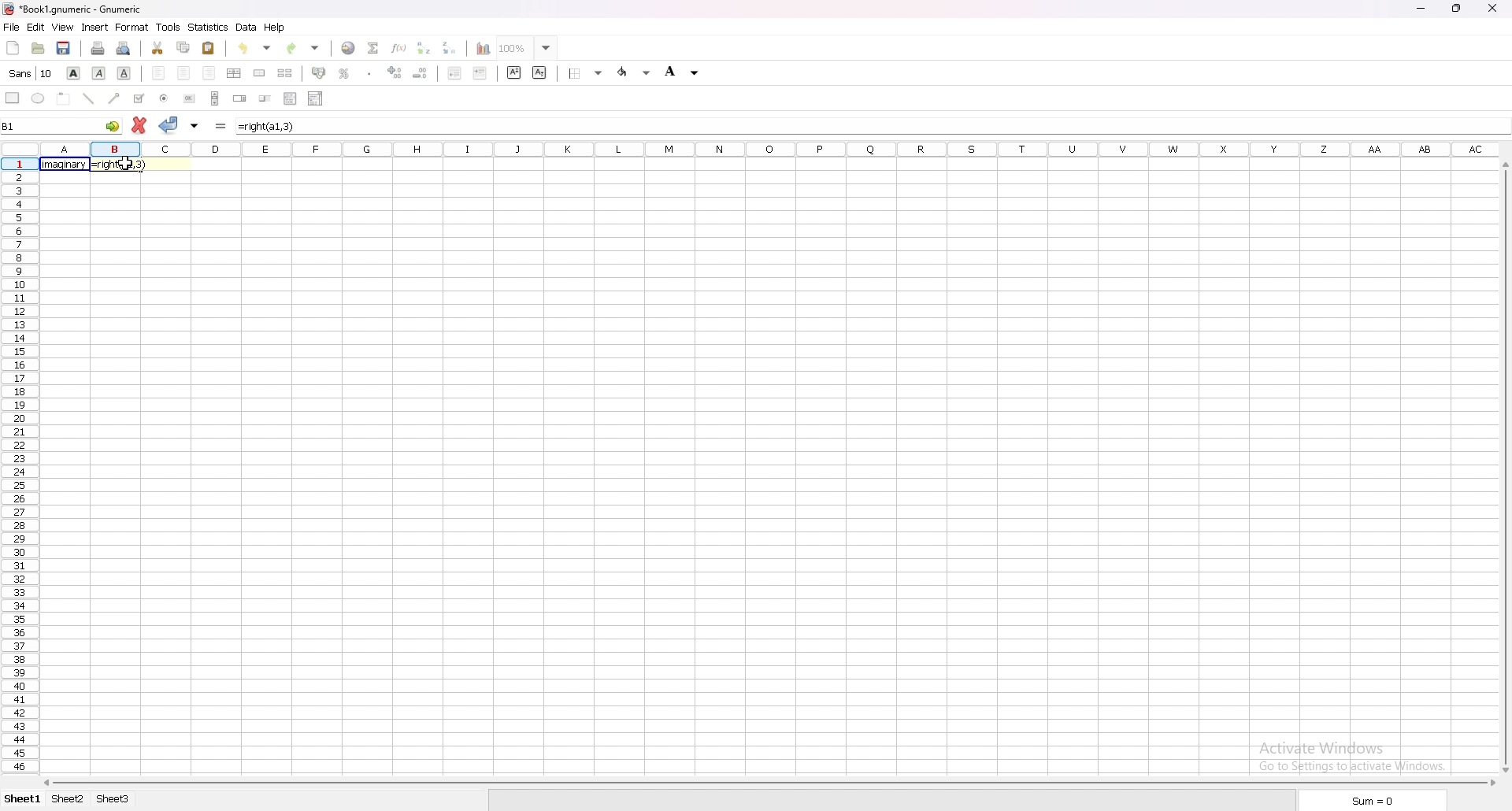 The width and height of the screenshot is (1512, 811). What do you see at coordinates (235, 72) in the screenshot?
I see `centre horizontally` at bounding box center [235, 72].